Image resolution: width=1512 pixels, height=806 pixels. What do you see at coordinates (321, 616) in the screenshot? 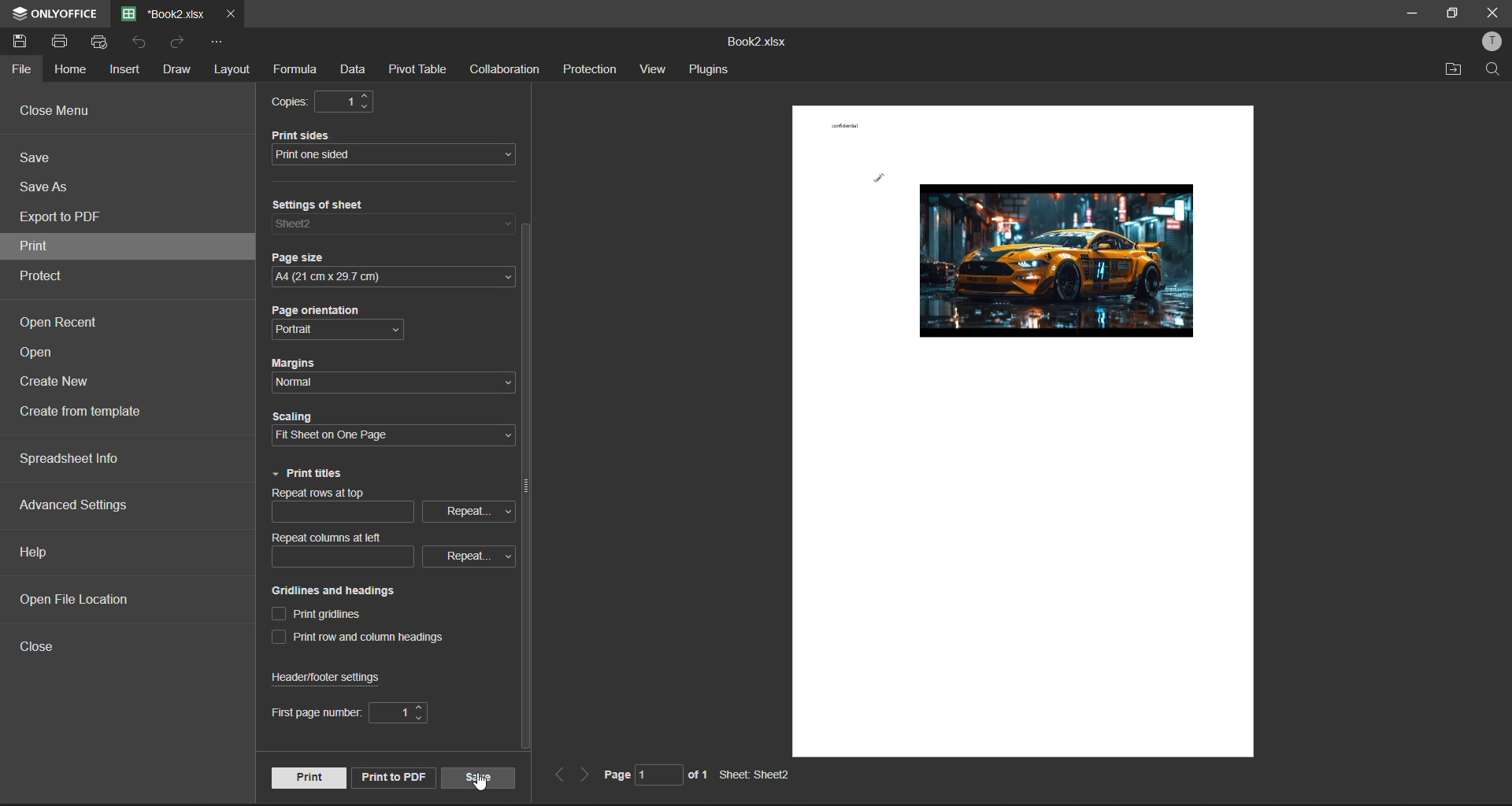
I see `print gridlines` at bounding box center [321, 616].